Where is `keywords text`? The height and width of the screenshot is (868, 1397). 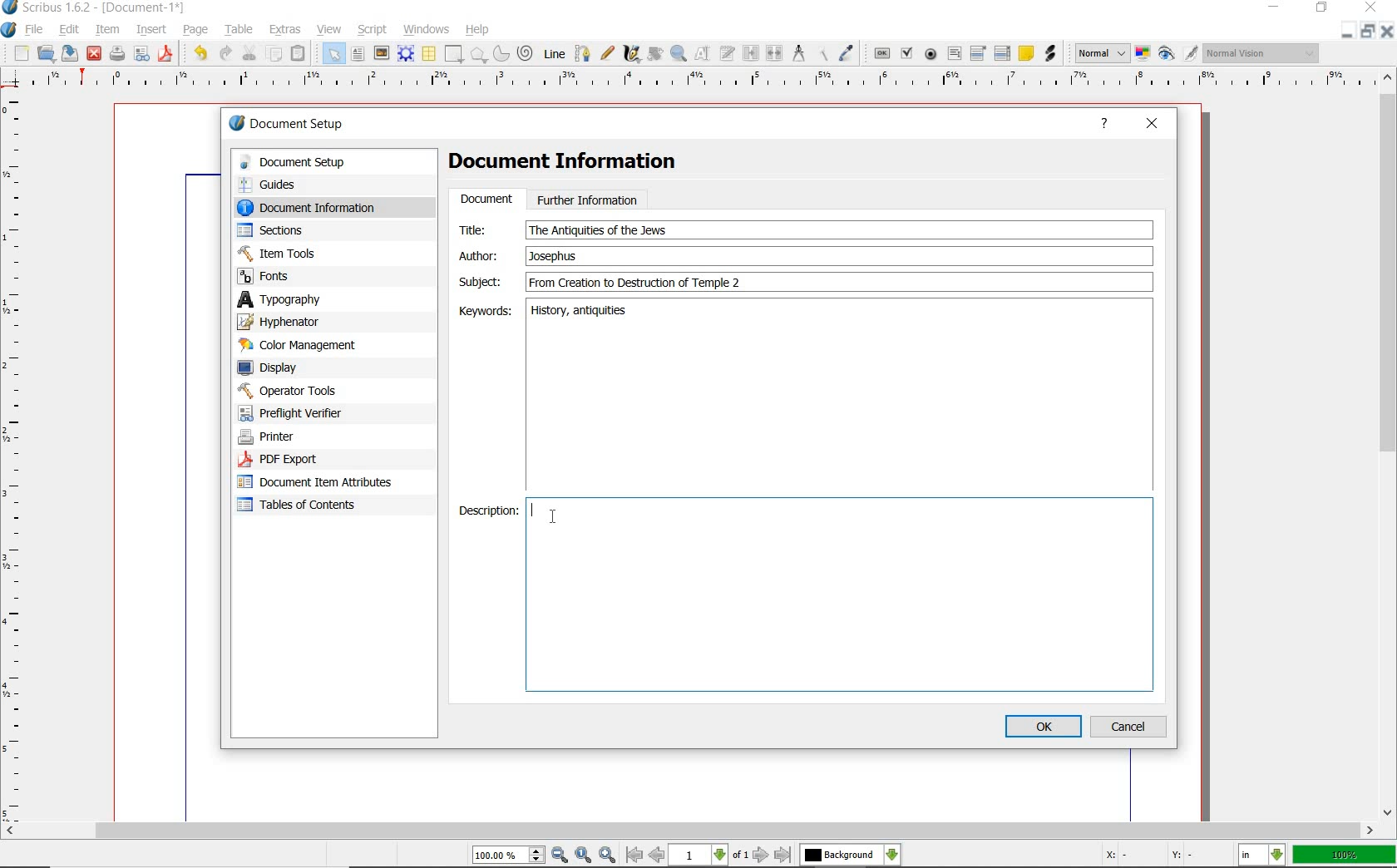 keywords text is located at coordinates (581, 313).